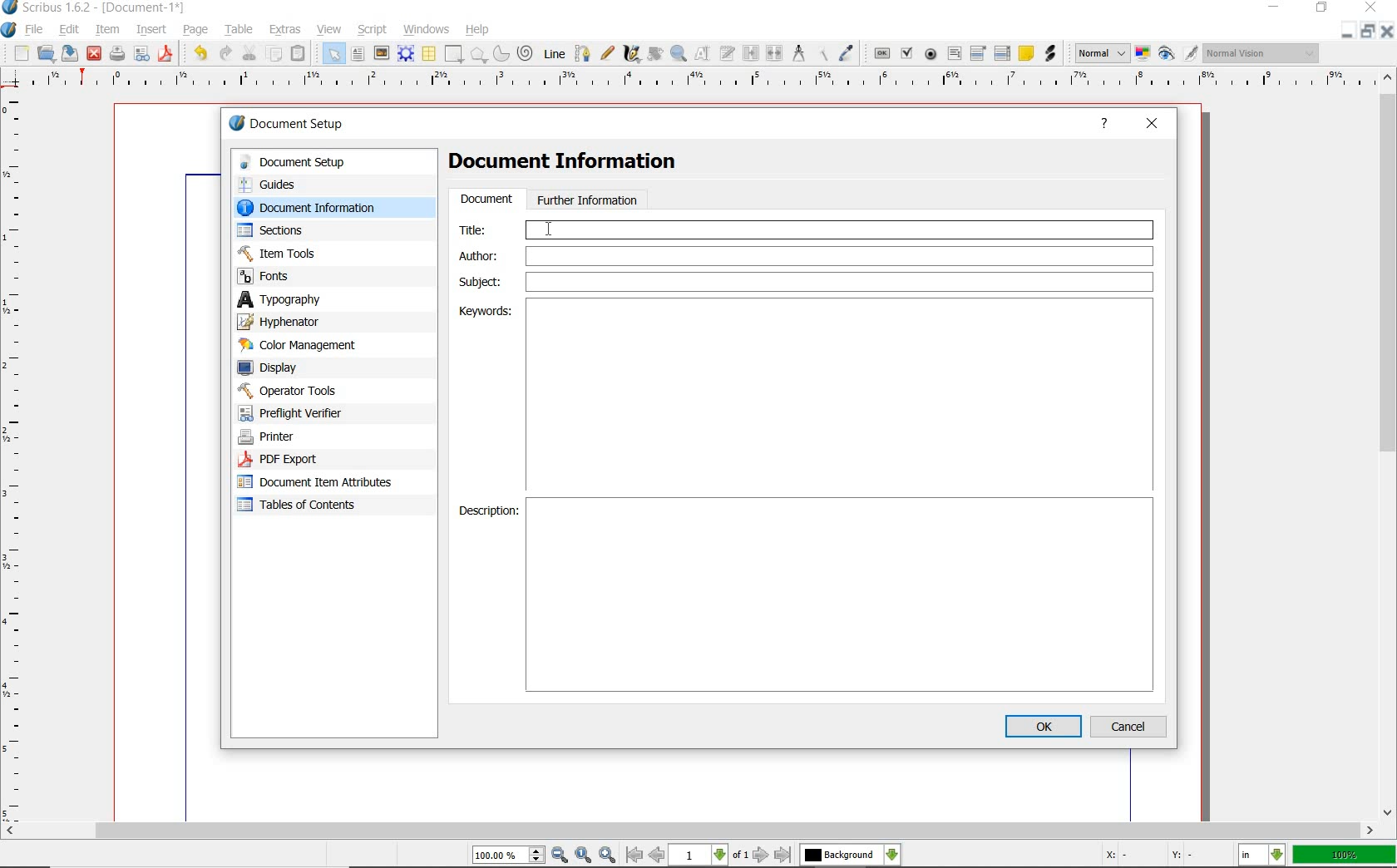 The height and width of the screenshot is (868, 1397). I want to click on text annotation, so click(1025, 55).